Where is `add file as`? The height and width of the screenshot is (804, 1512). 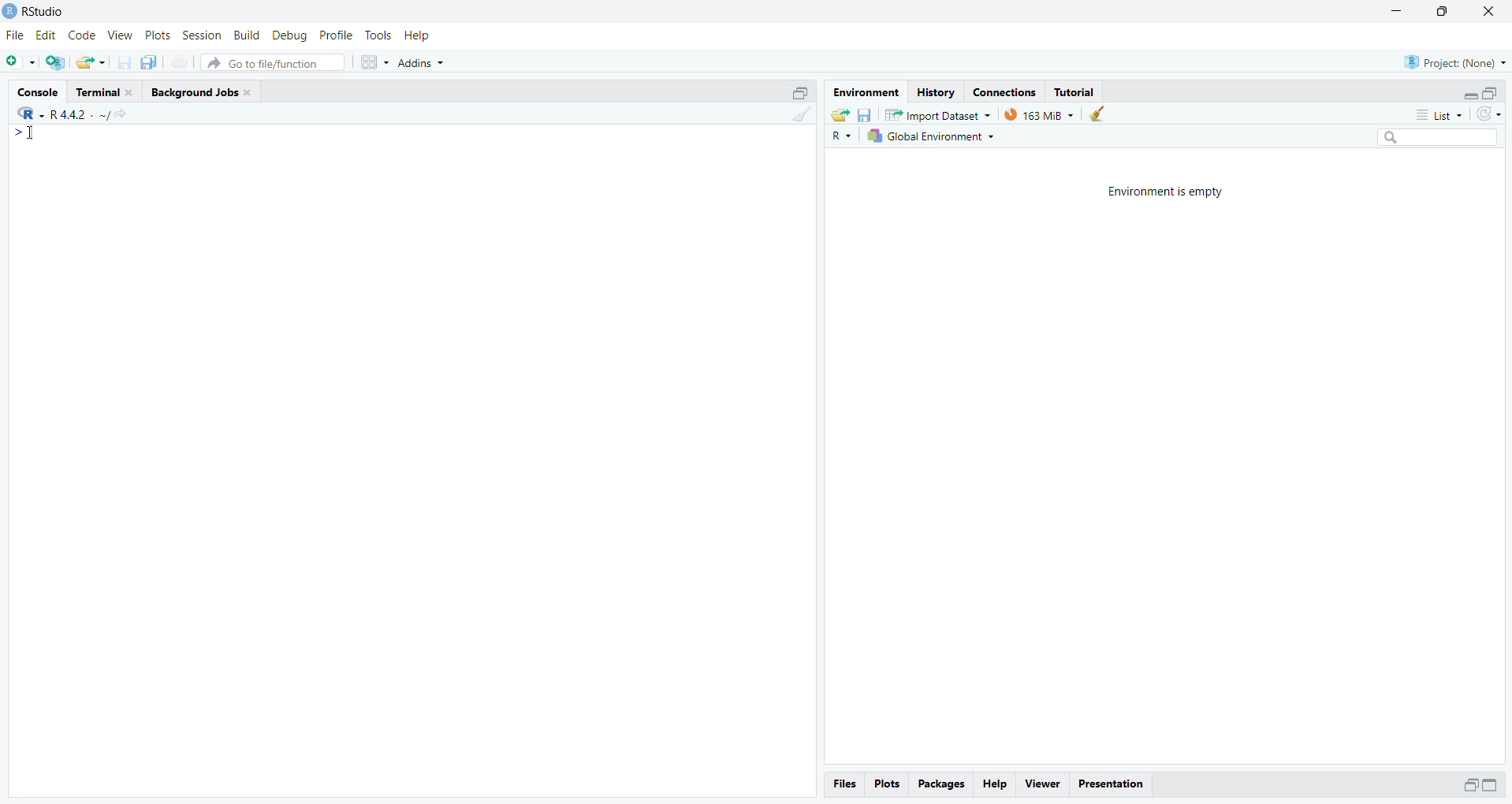 add file as is located at coordinates (21, 61).